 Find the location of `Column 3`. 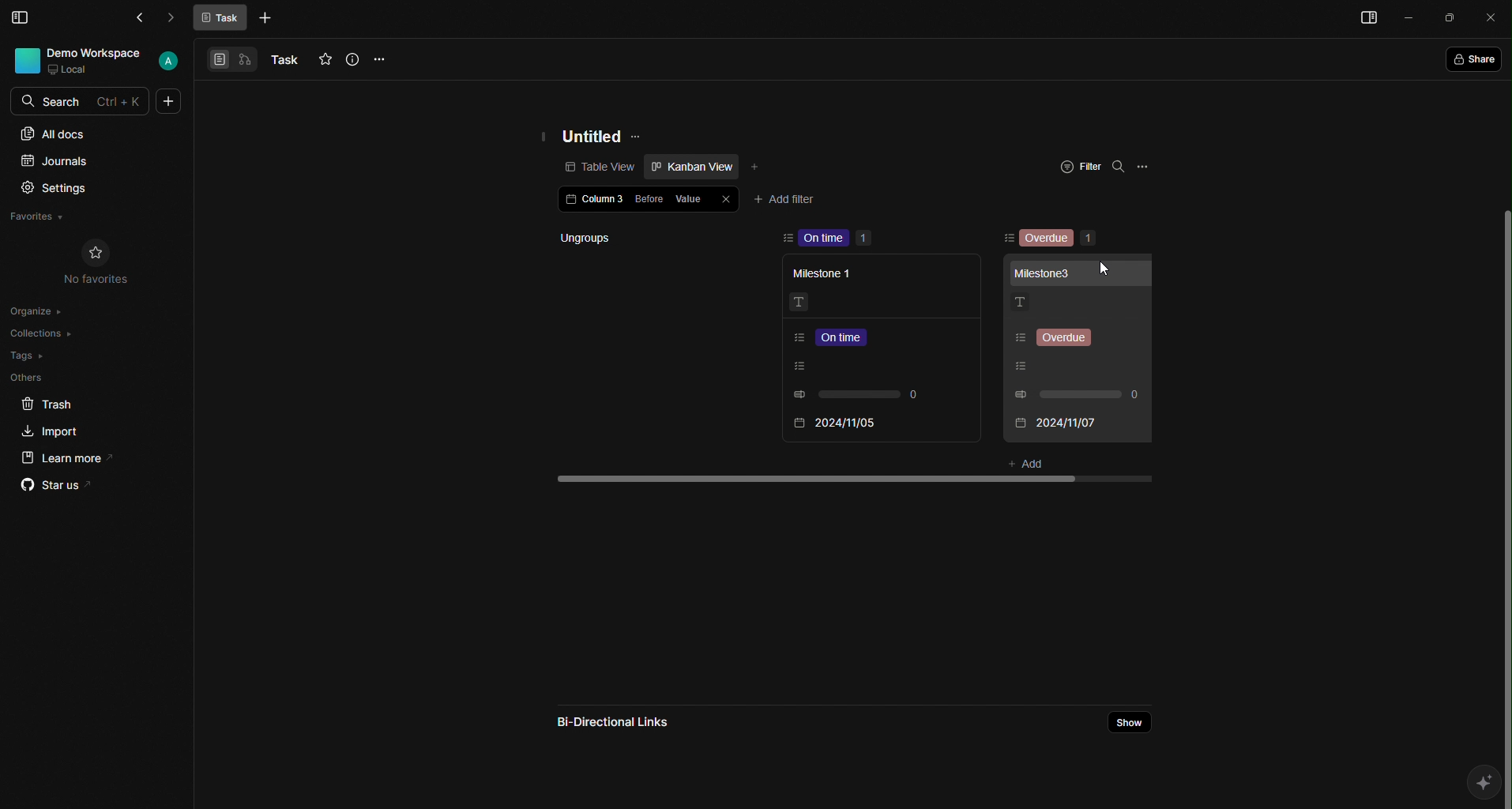

Column 3 is located at coordinates (592, 201).